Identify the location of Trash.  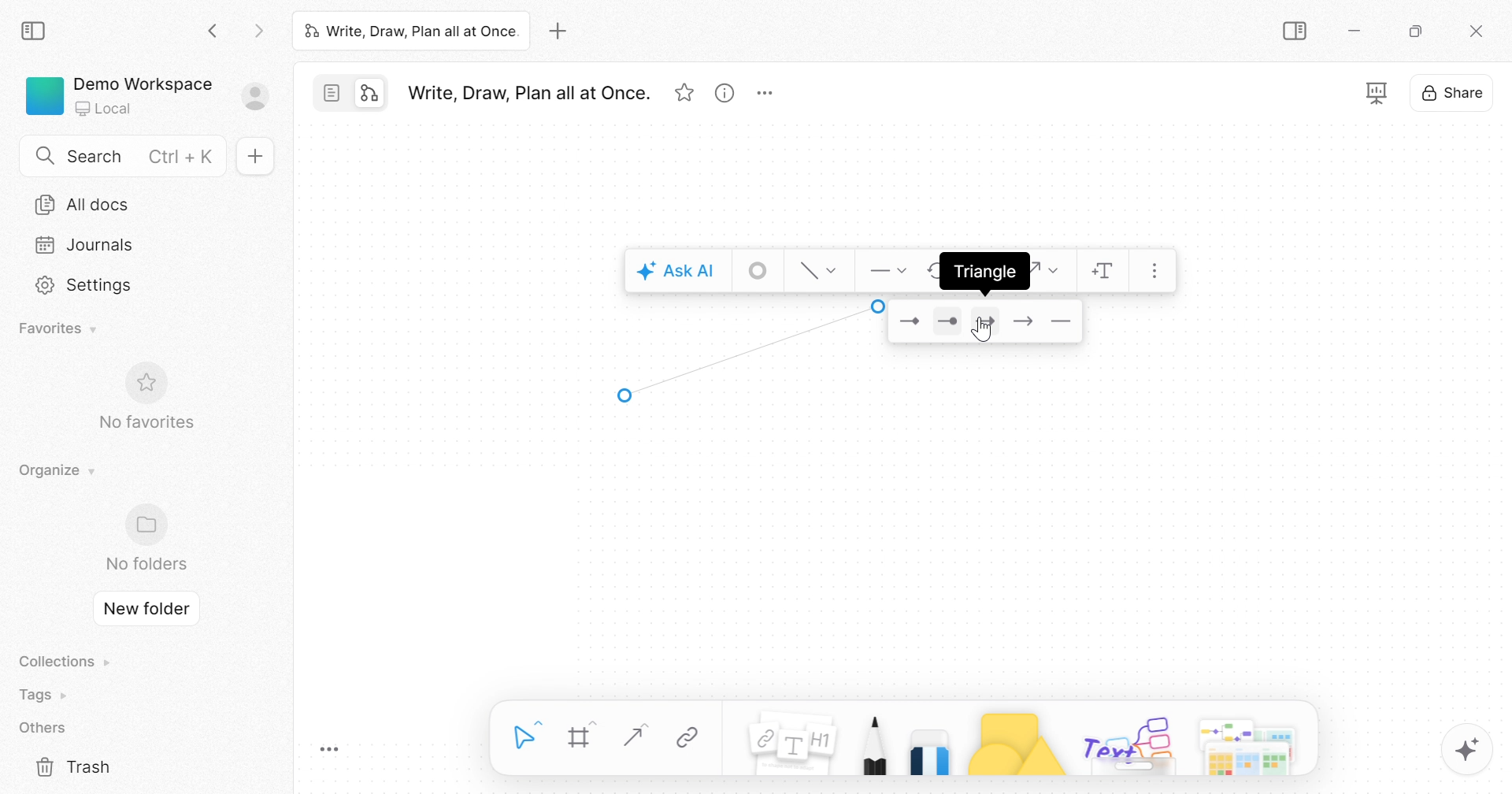
(76, 768).